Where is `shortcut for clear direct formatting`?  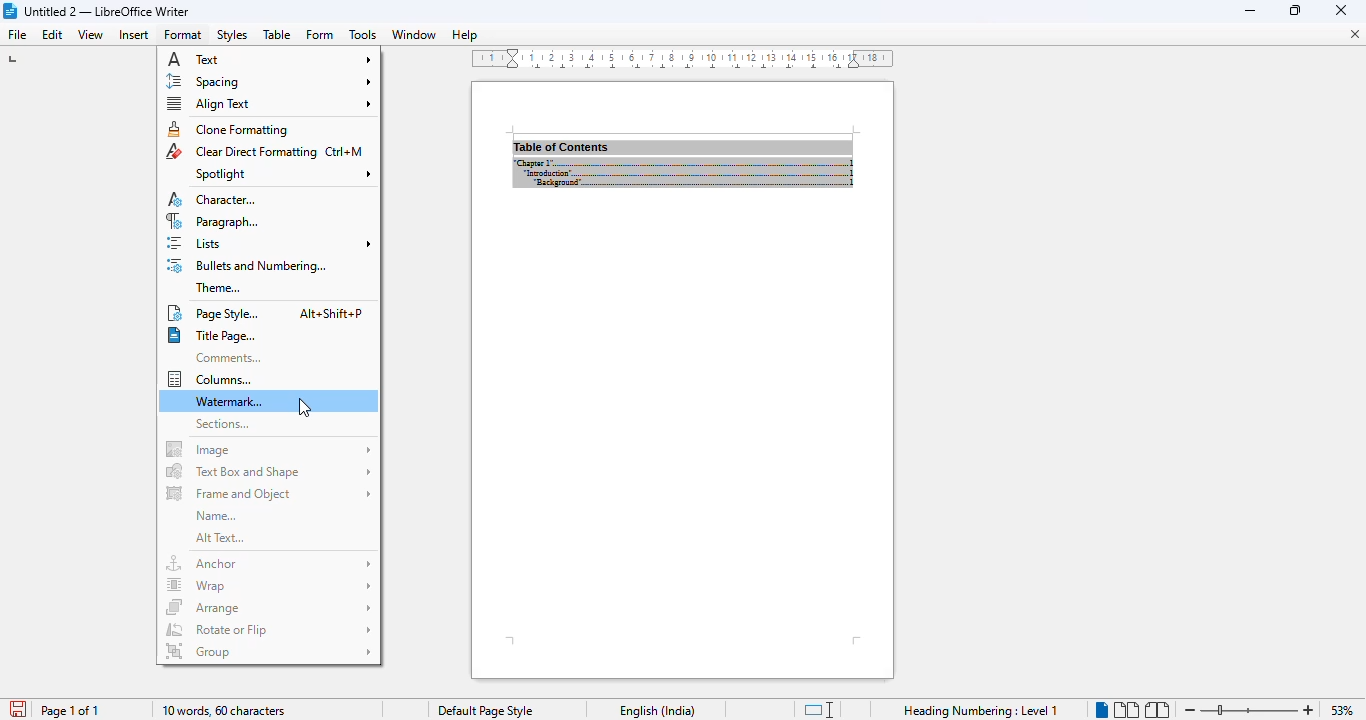 shortcut for clear direct formatting is located at coordinates (344, 151).